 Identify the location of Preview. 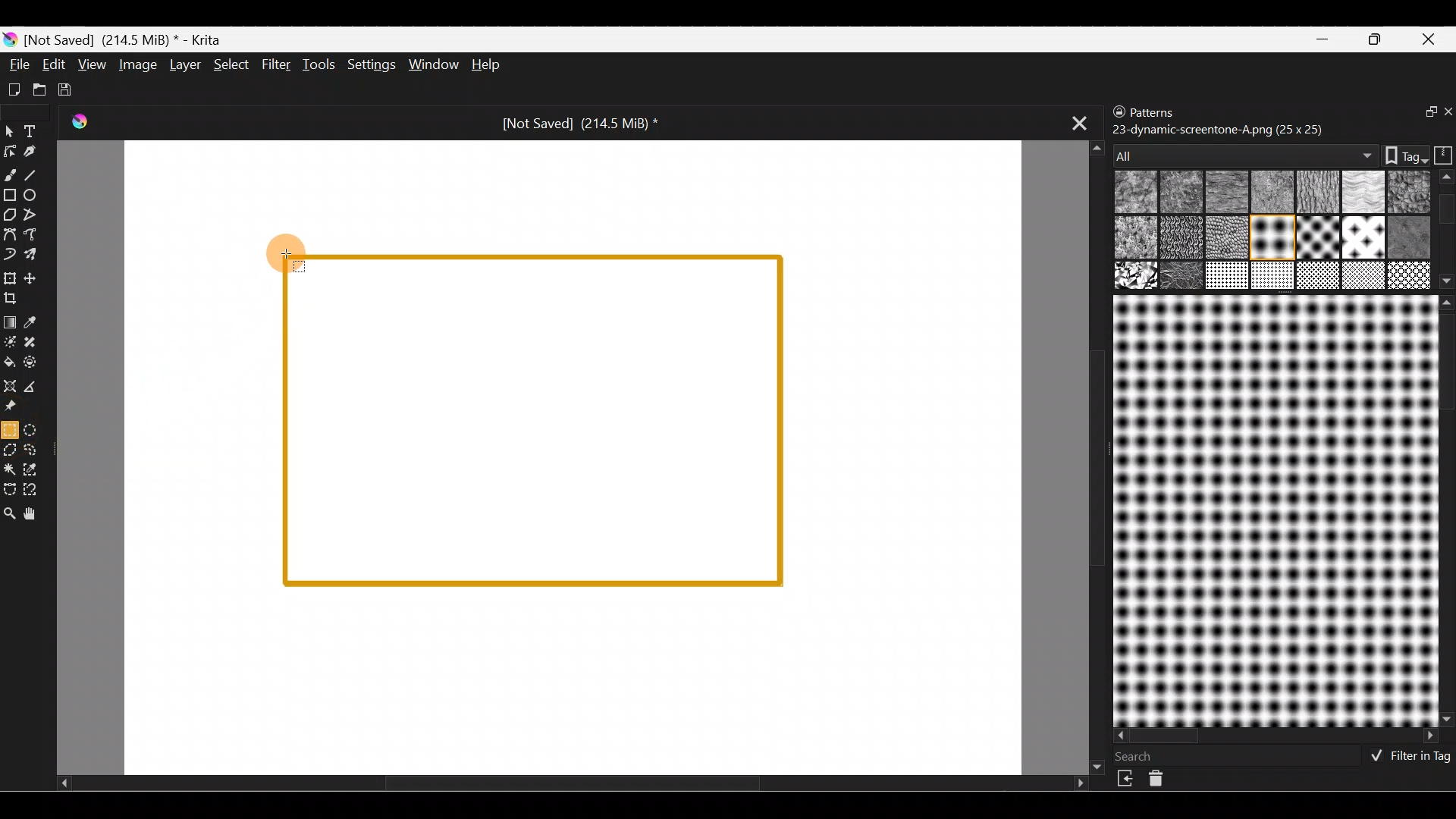
(1272, 510).